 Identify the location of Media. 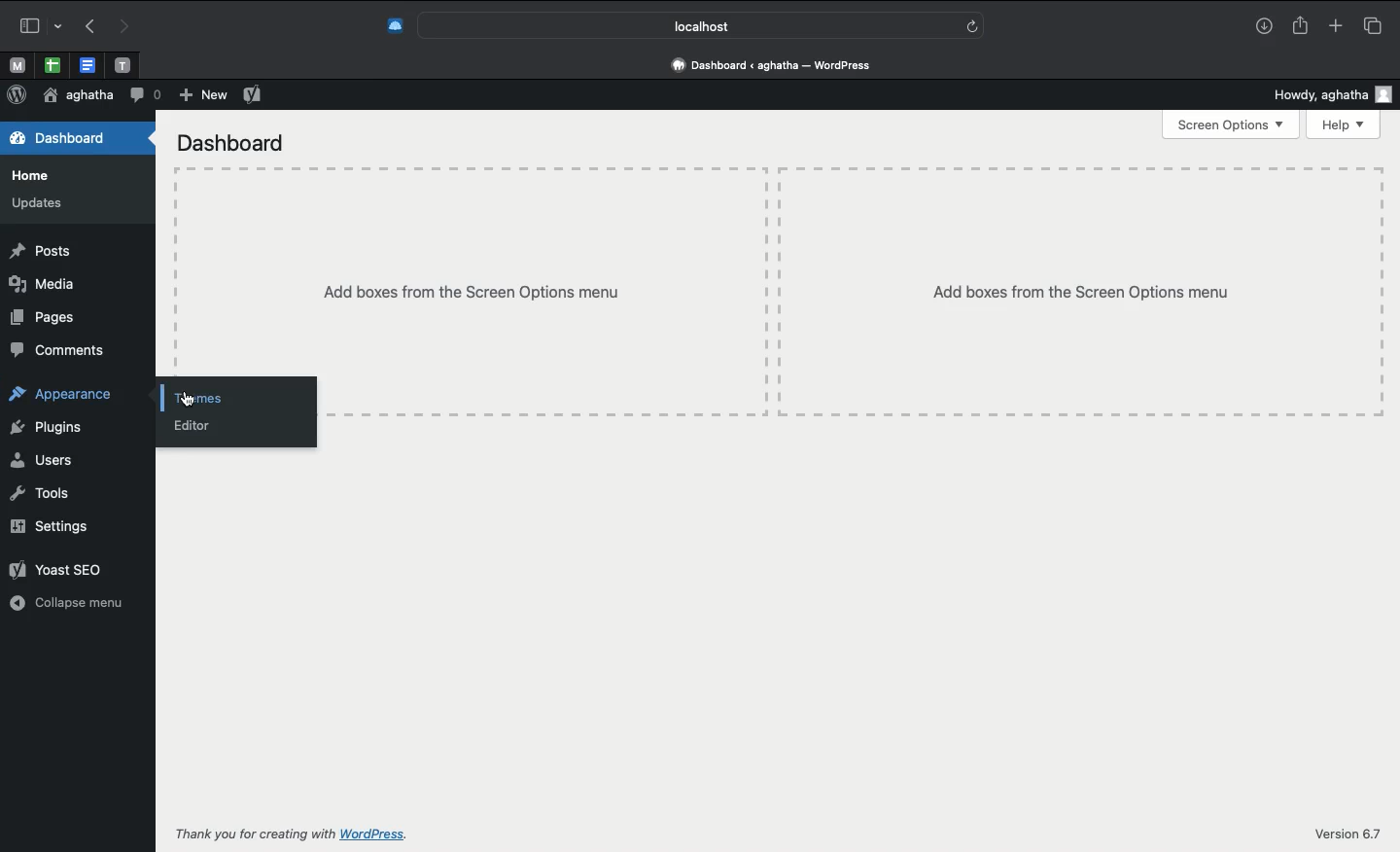
(39, 285).